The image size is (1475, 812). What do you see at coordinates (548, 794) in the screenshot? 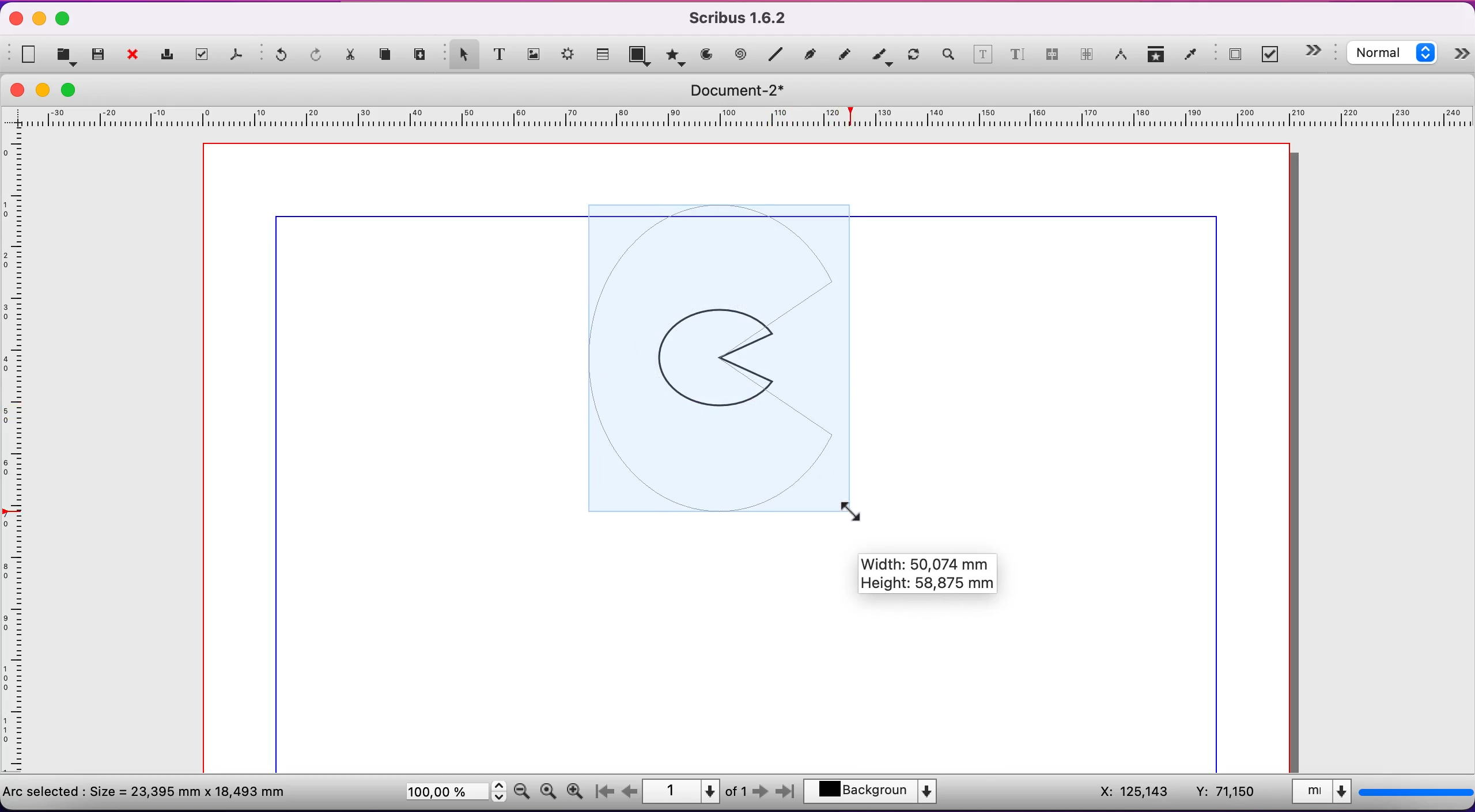
I see `zoom to 100%` at bounding box center [548, 794].